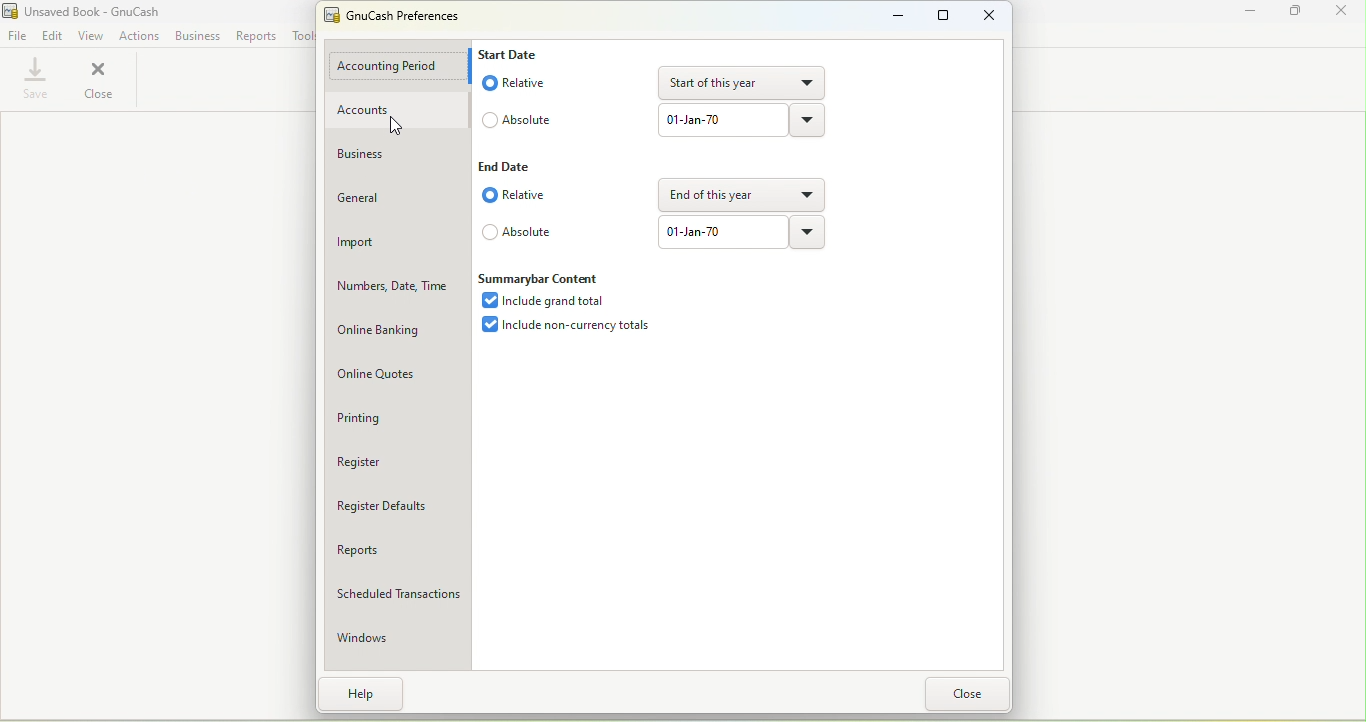 The height and width of the screenshot is (722, 1366). I want to click on Maximize, so click(944, 17).